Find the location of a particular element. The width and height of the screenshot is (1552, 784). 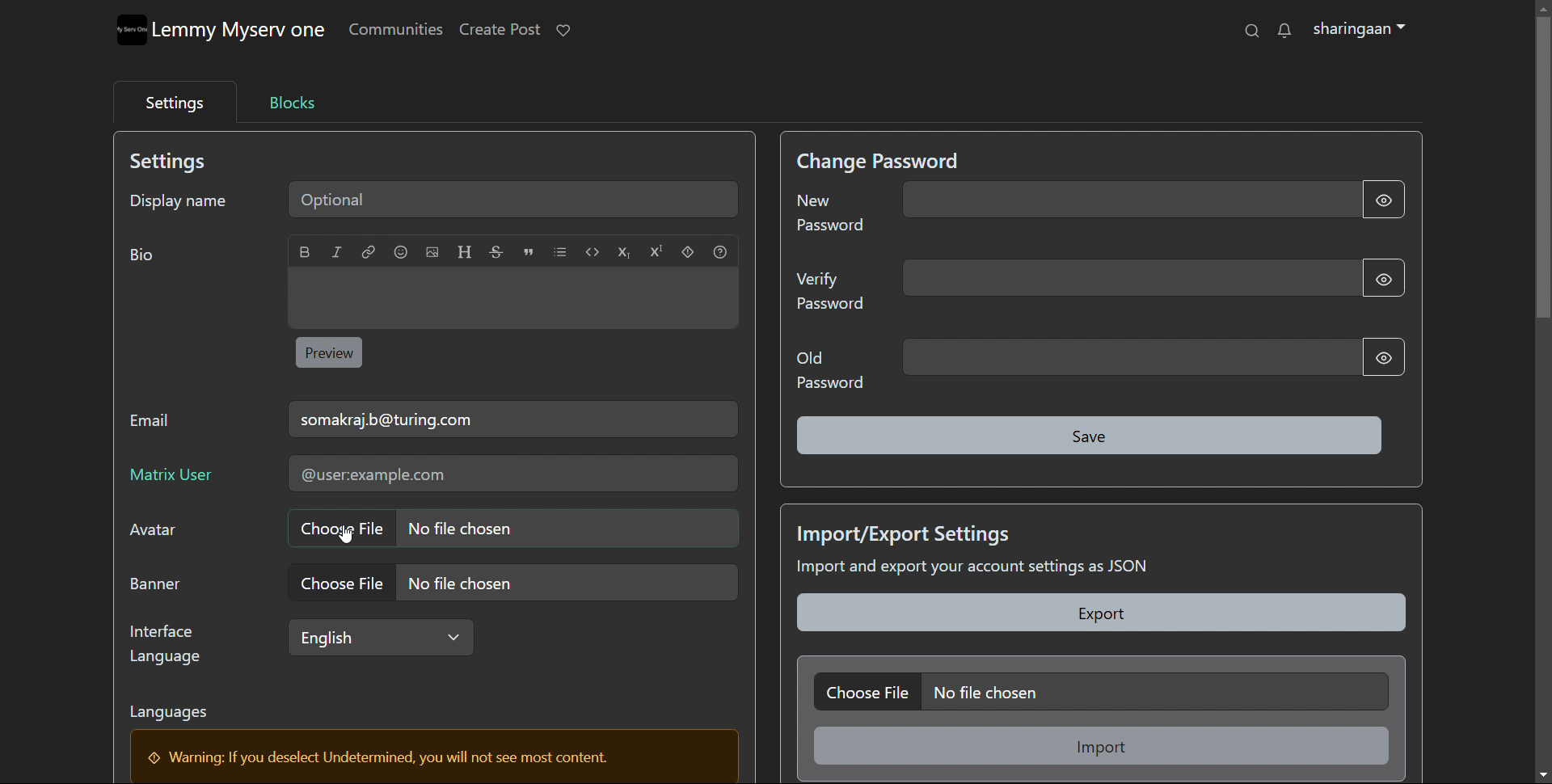

email is located at coordinates (512, 419).